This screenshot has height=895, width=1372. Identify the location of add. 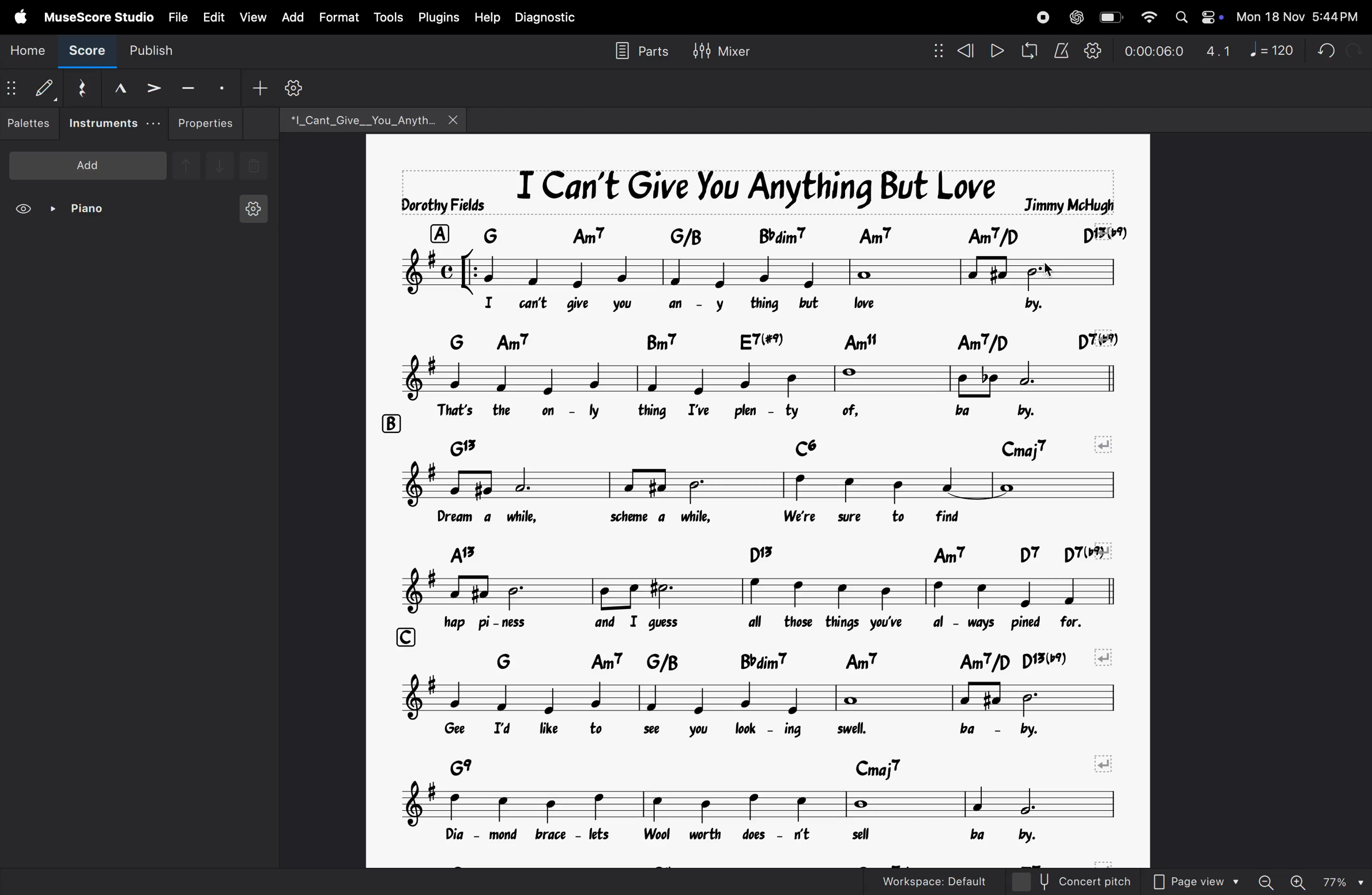
(88, 165).